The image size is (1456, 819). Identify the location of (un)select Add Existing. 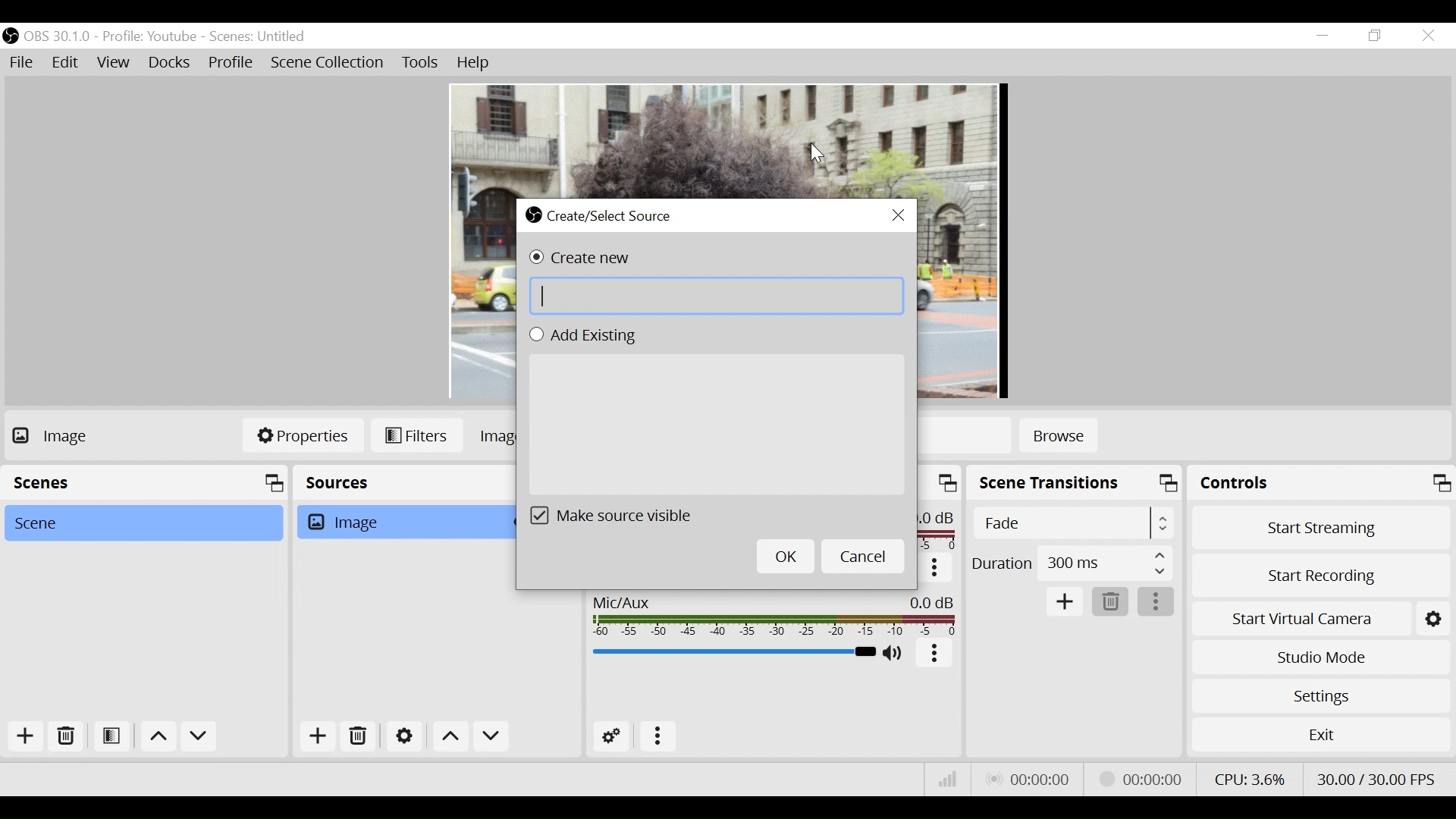
(581, 335).